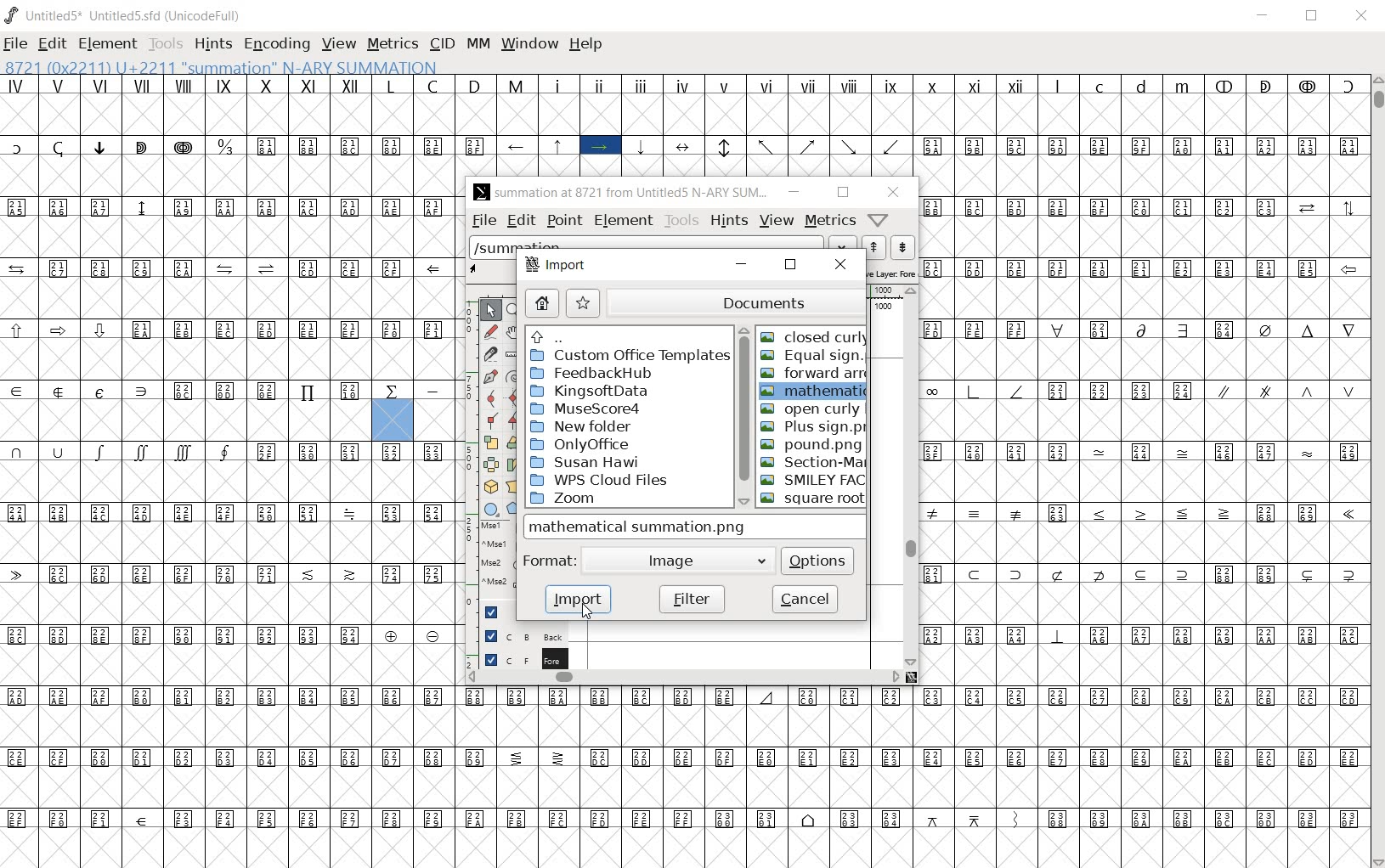 The height and width of the screenshot is (868, 1385). Describe the element at coordinates (490, 610) in the screenshot. I see `Guide` at that location.